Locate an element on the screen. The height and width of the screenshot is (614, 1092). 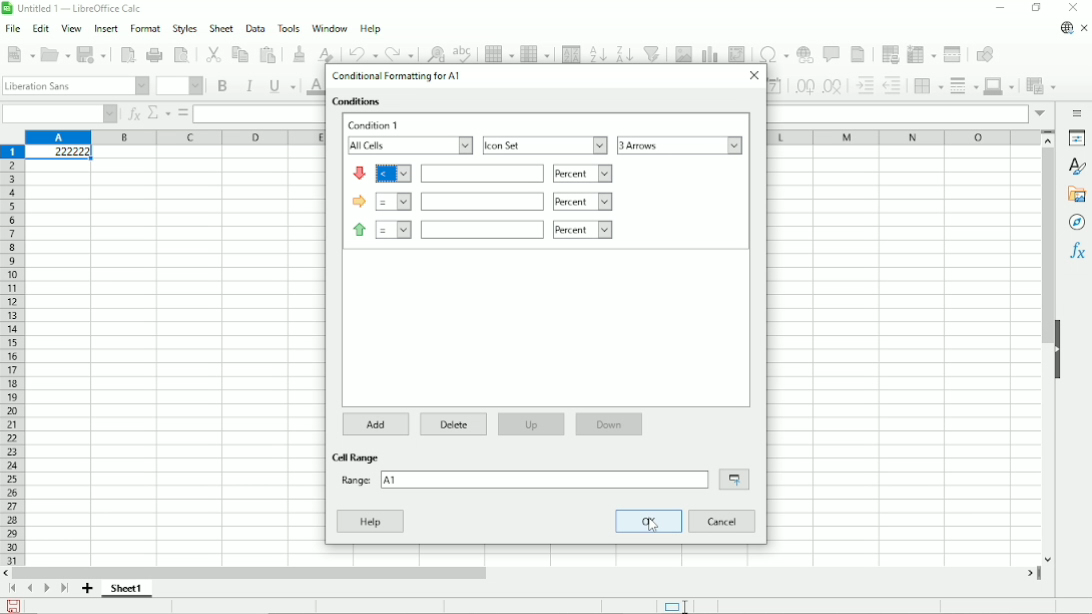
Update available is located at coordinates (1065, 27).